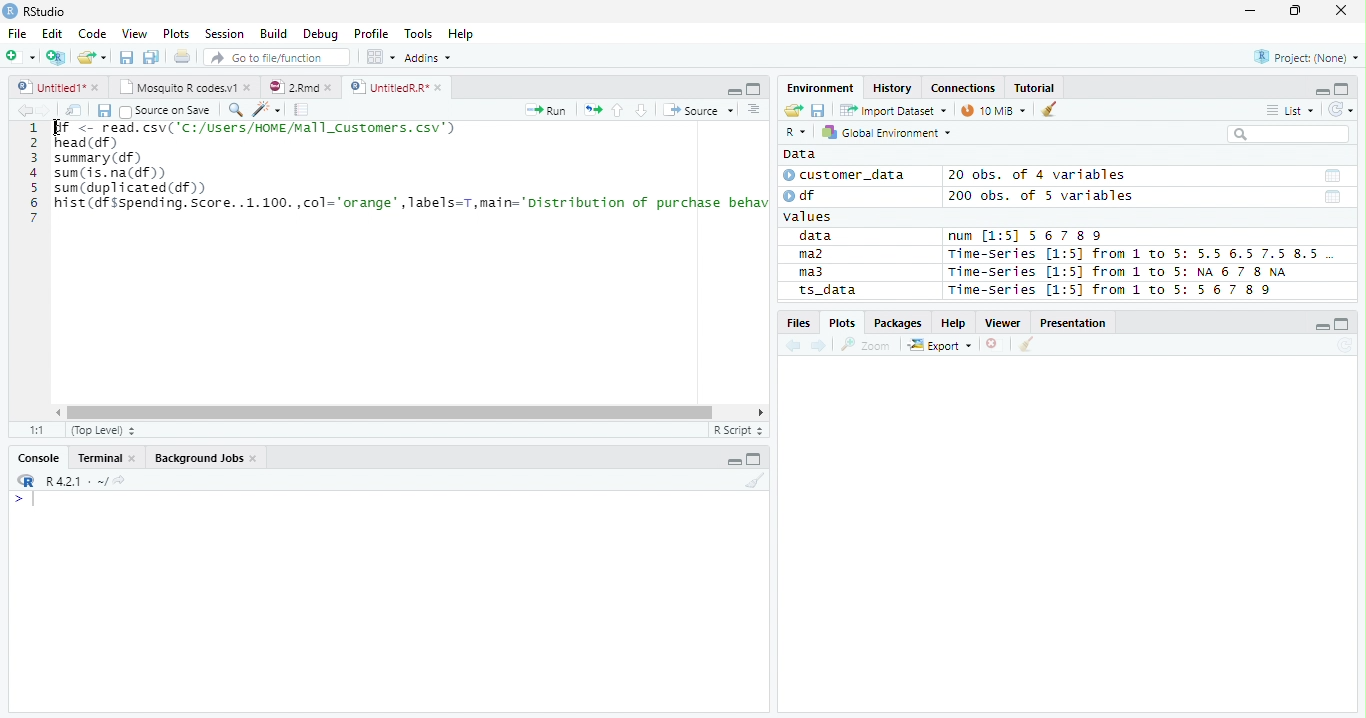 The width and height of the screenshot is (1366, 718). I want to click on ma3, so click(816, 272).